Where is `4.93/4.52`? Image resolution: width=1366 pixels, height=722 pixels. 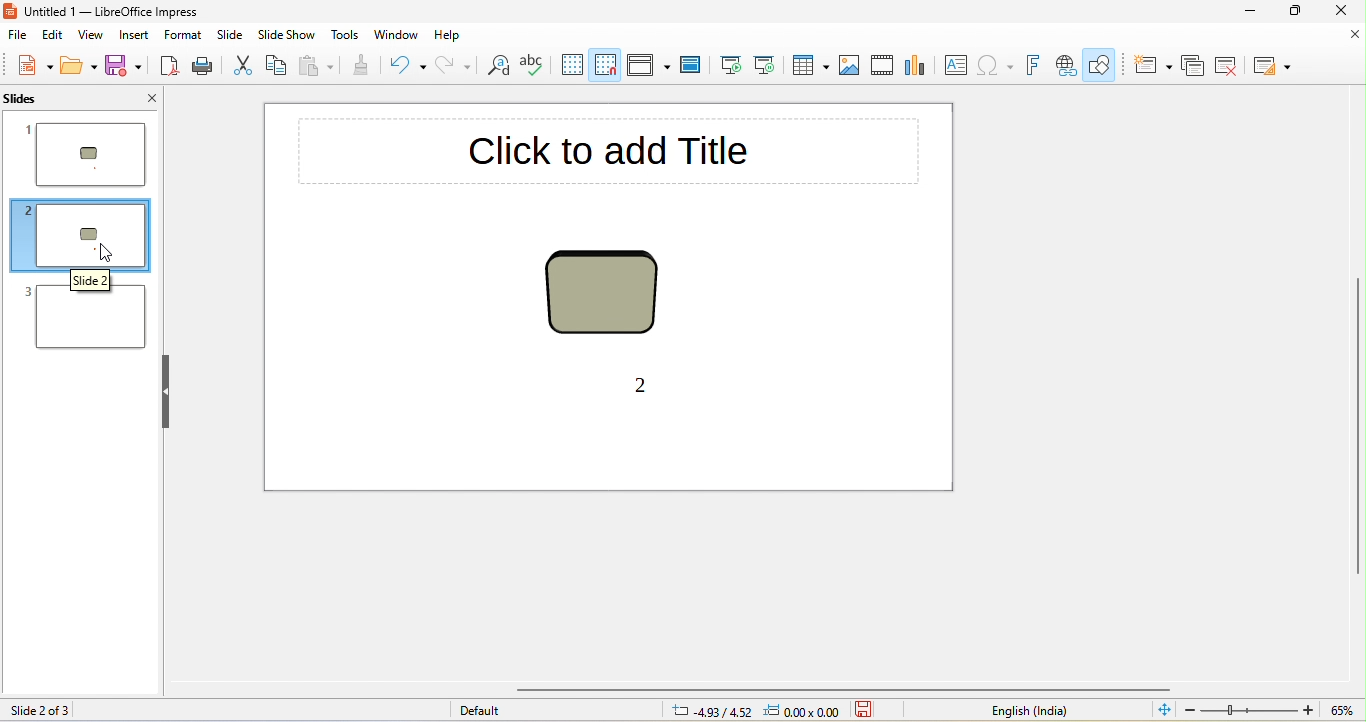 4.93/4.52 is located at coordinates (712, 711).